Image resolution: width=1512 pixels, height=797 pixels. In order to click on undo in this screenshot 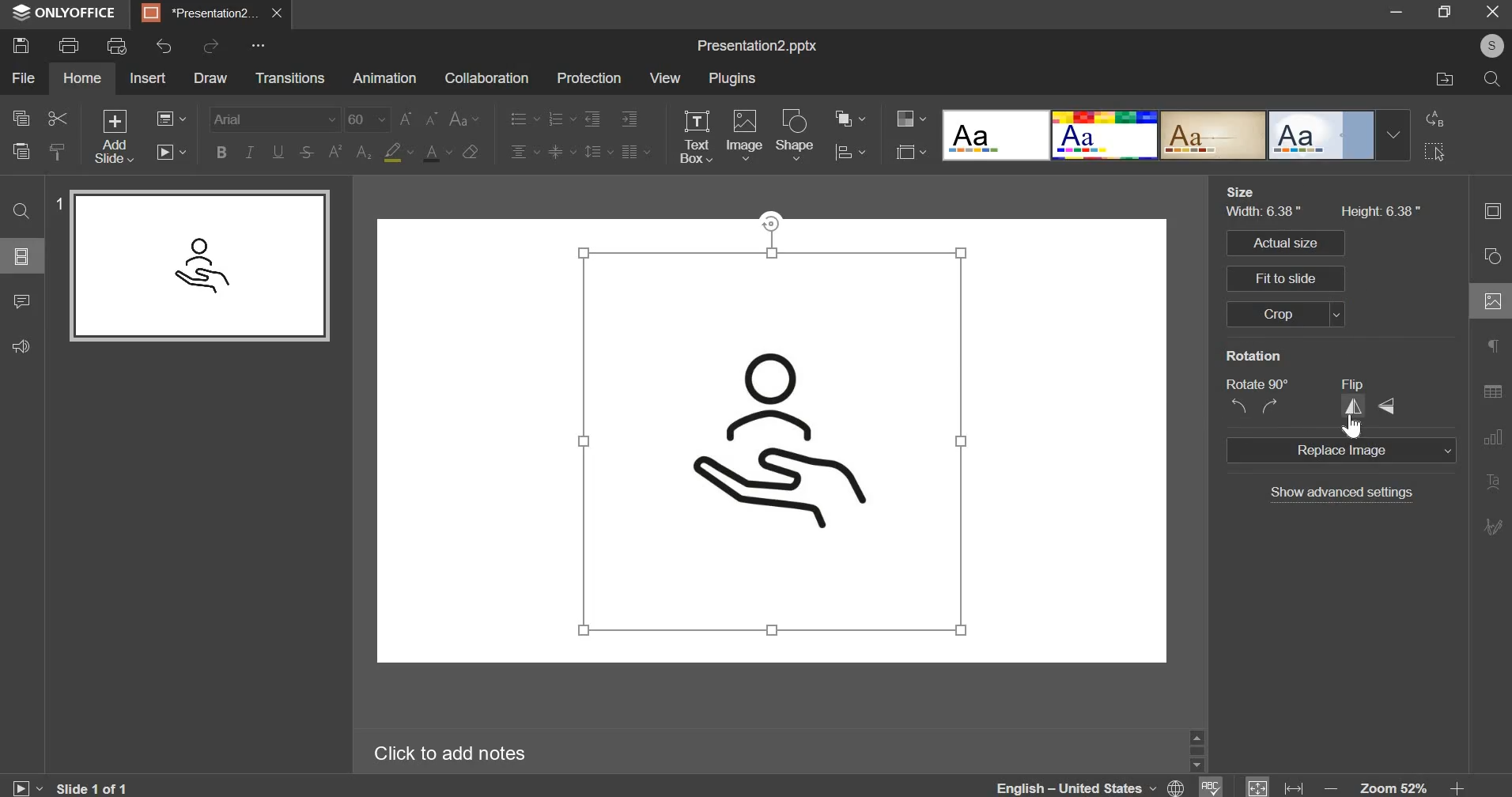, I will do `click(164, 46)`.